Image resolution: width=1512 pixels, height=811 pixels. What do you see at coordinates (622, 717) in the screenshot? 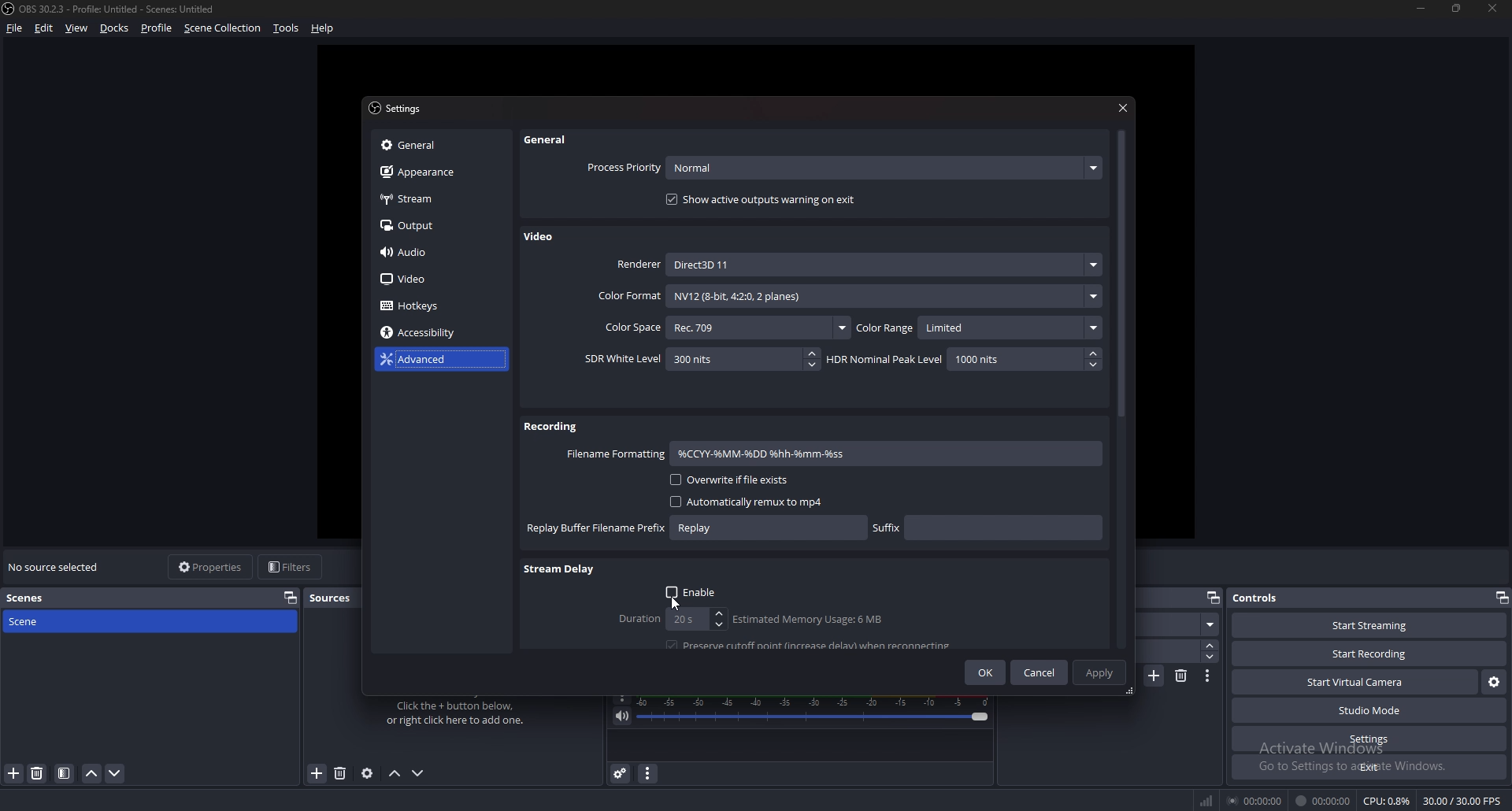
I see `mute` at bounding box center [622, 717].